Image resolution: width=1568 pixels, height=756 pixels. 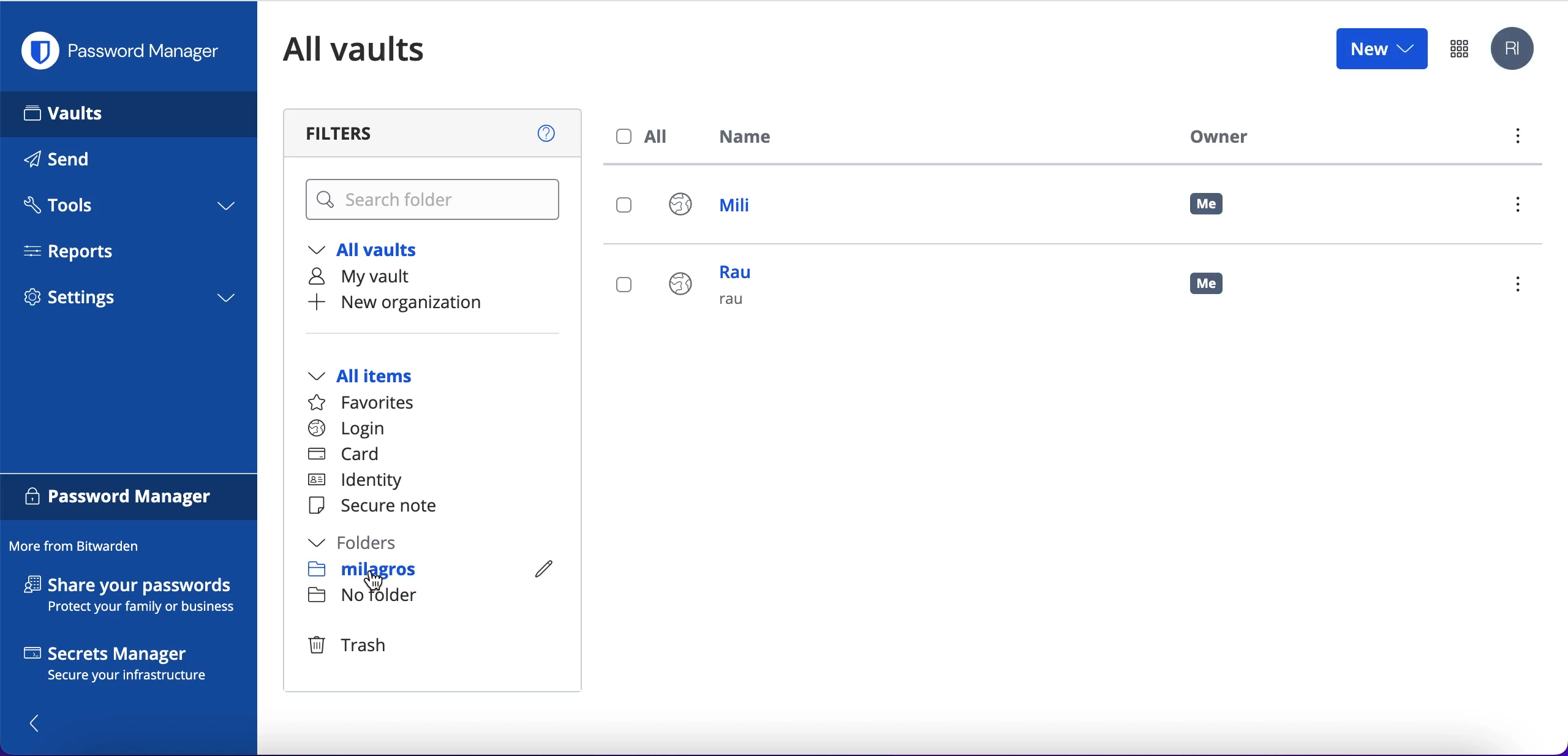 I want to click on my vault, so click(x=371, y=276).